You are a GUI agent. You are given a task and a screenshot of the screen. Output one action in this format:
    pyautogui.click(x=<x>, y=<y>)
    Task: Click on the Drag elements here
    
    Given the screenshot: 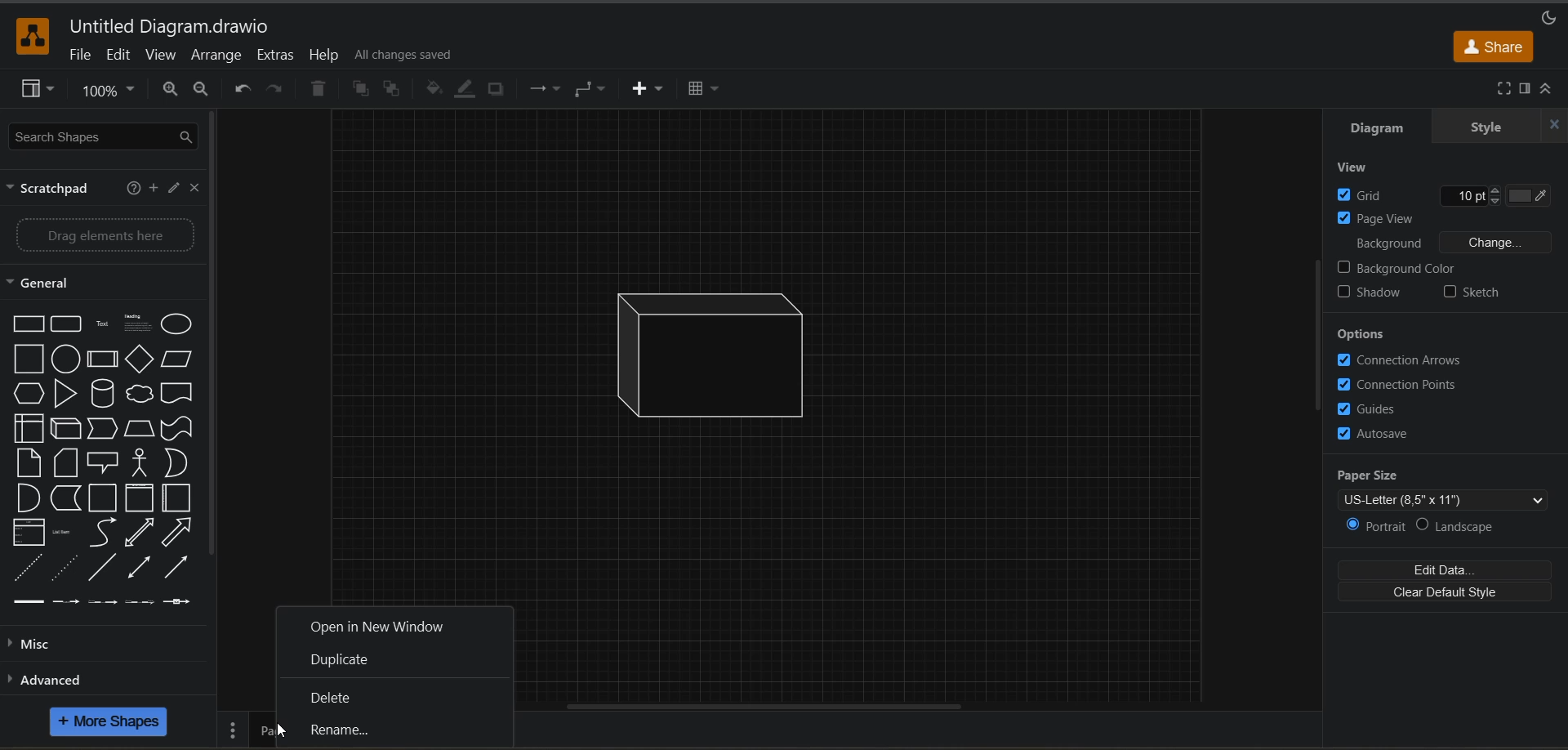 What is the action you would take?
    pyautogui.click(x=105, y=235)
    